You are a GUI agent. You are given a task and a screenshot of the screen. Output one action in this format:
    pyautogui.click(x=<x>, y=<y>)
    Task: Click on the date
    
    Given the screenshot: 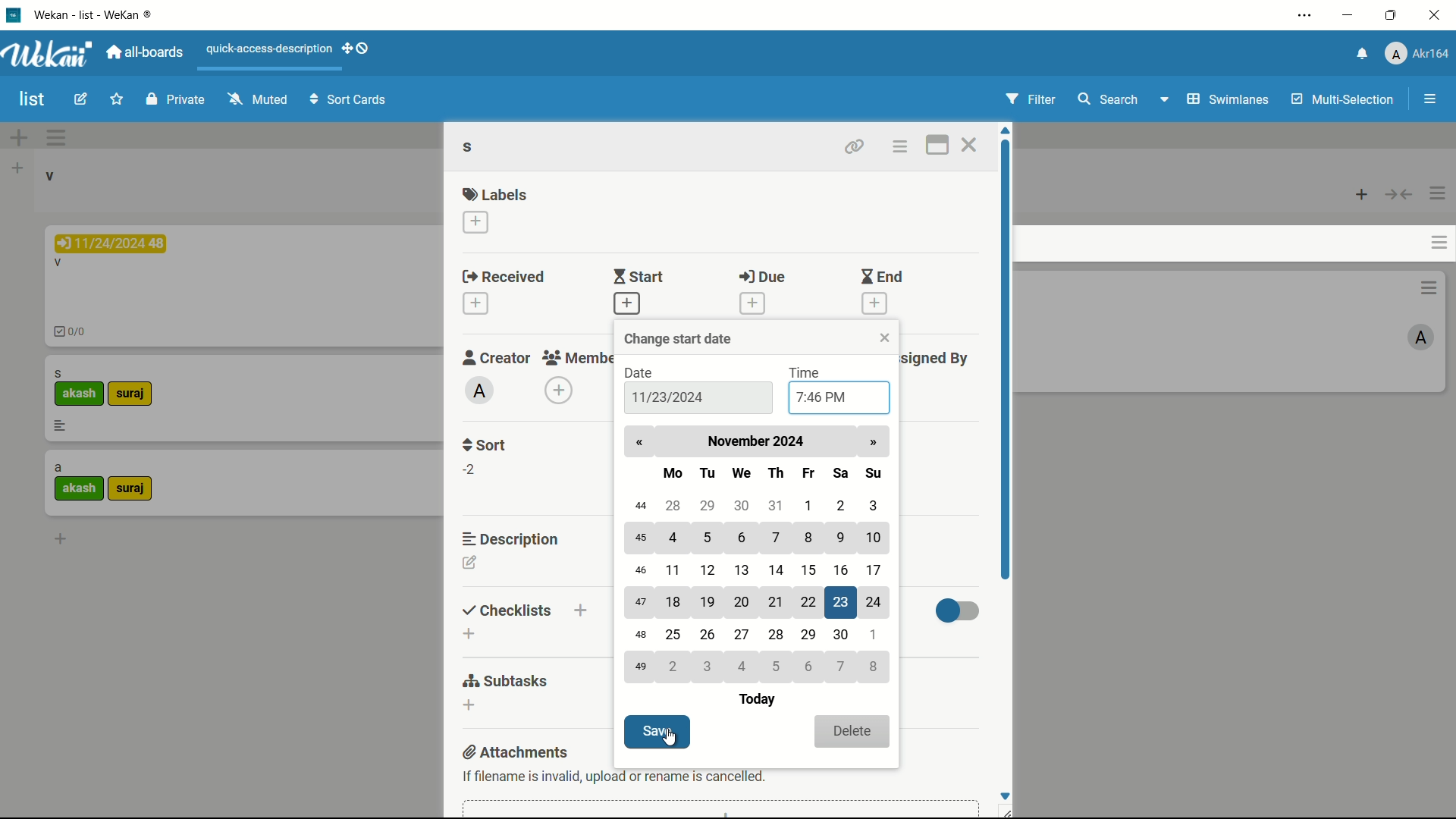 What is the action you would take?
    pyautogui.click(x=642, y=373)
    